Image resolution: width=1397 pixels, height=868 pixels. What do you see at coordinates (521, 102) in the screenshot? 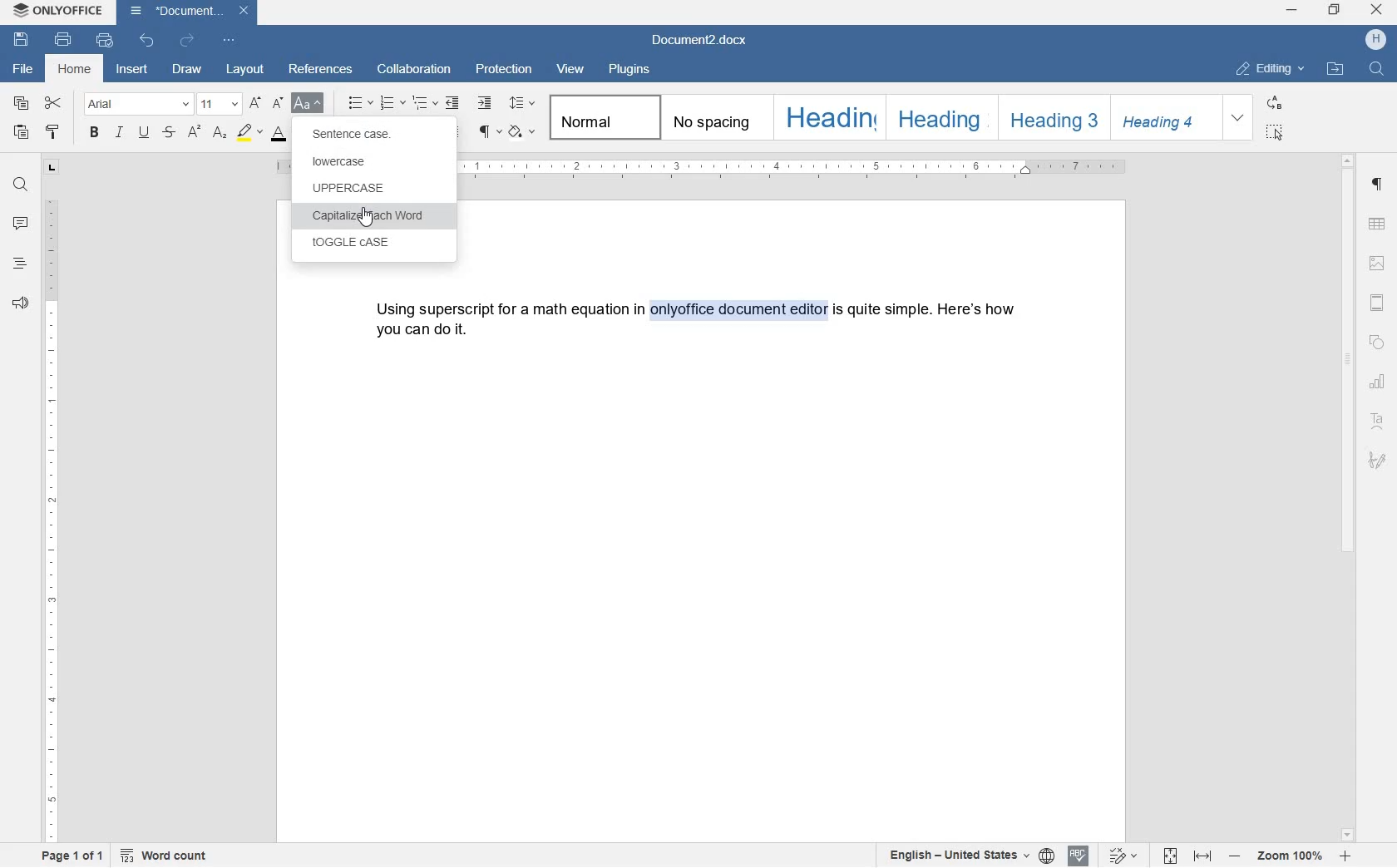
I see `paragraph line spacing` at bounding box center [521, 102].